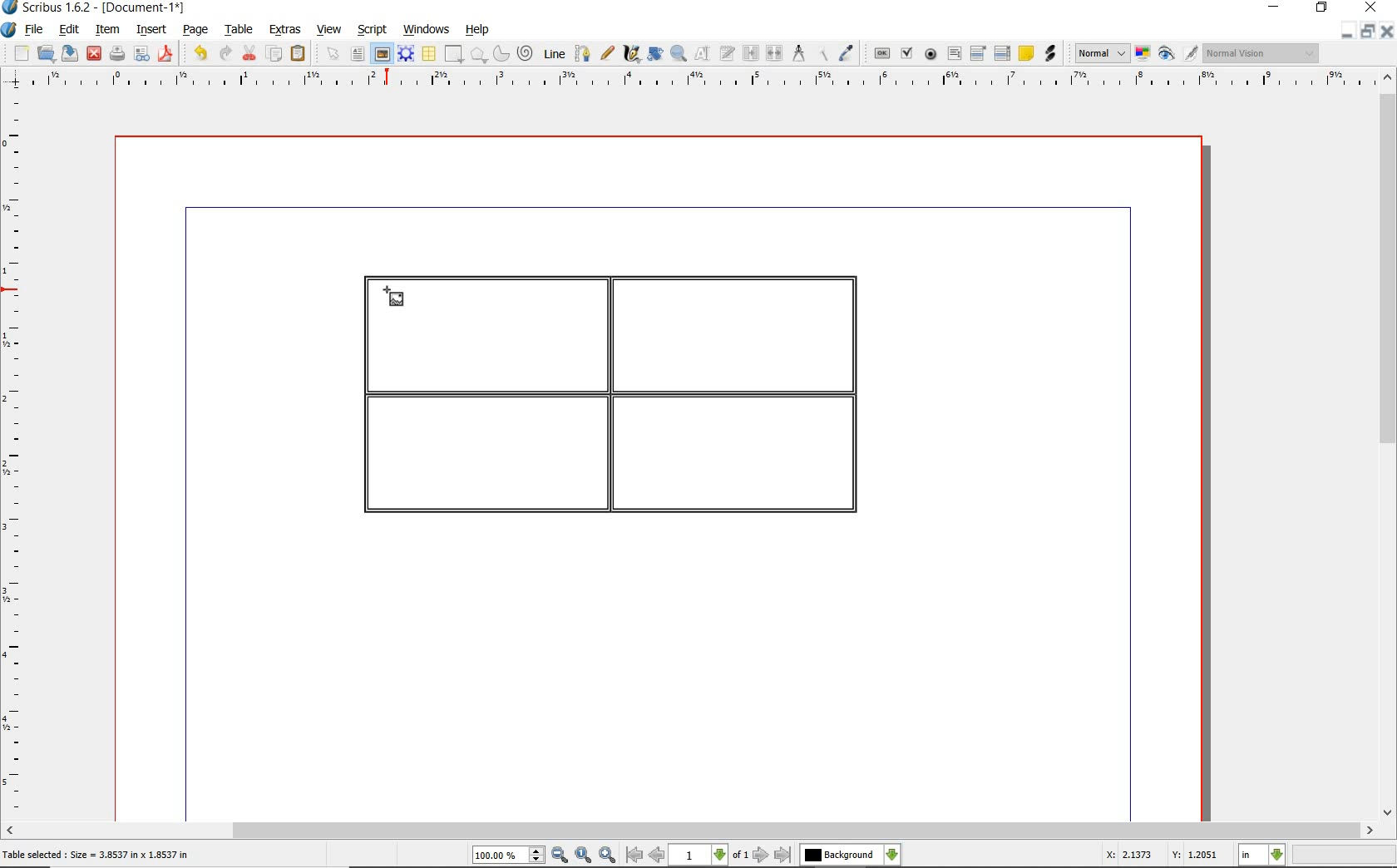 Image resolution: width=1397 pixels, height=868 pixels. Describe the element at coordinates (22, 55) in the screenshot. I see `new` at that location.